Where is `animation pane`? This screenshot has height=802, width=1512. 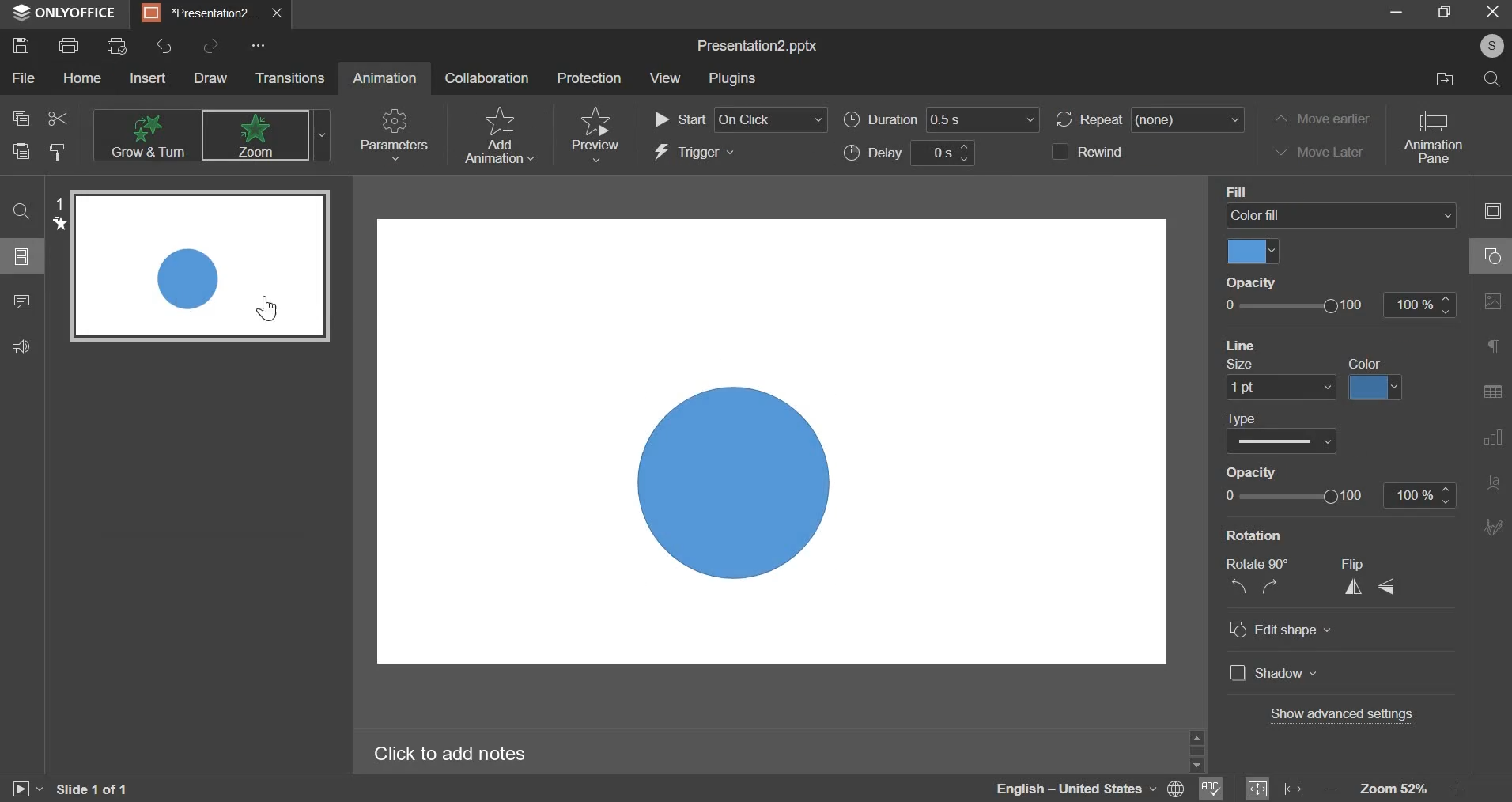
animation pane is located at coordinates (1435, 138).